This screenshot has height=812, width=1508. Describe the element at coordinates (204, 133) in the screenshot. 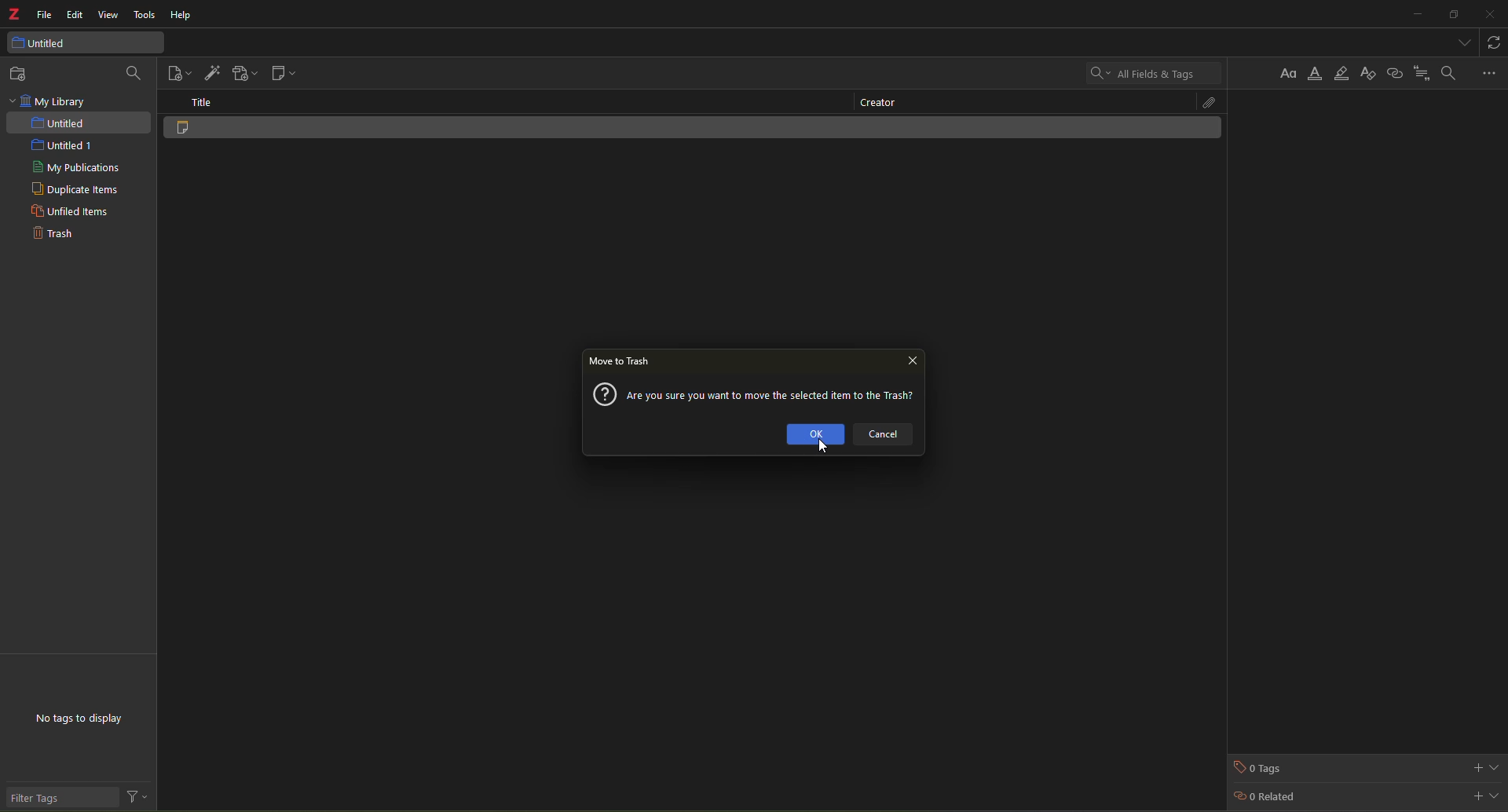

I see `item` at that location.